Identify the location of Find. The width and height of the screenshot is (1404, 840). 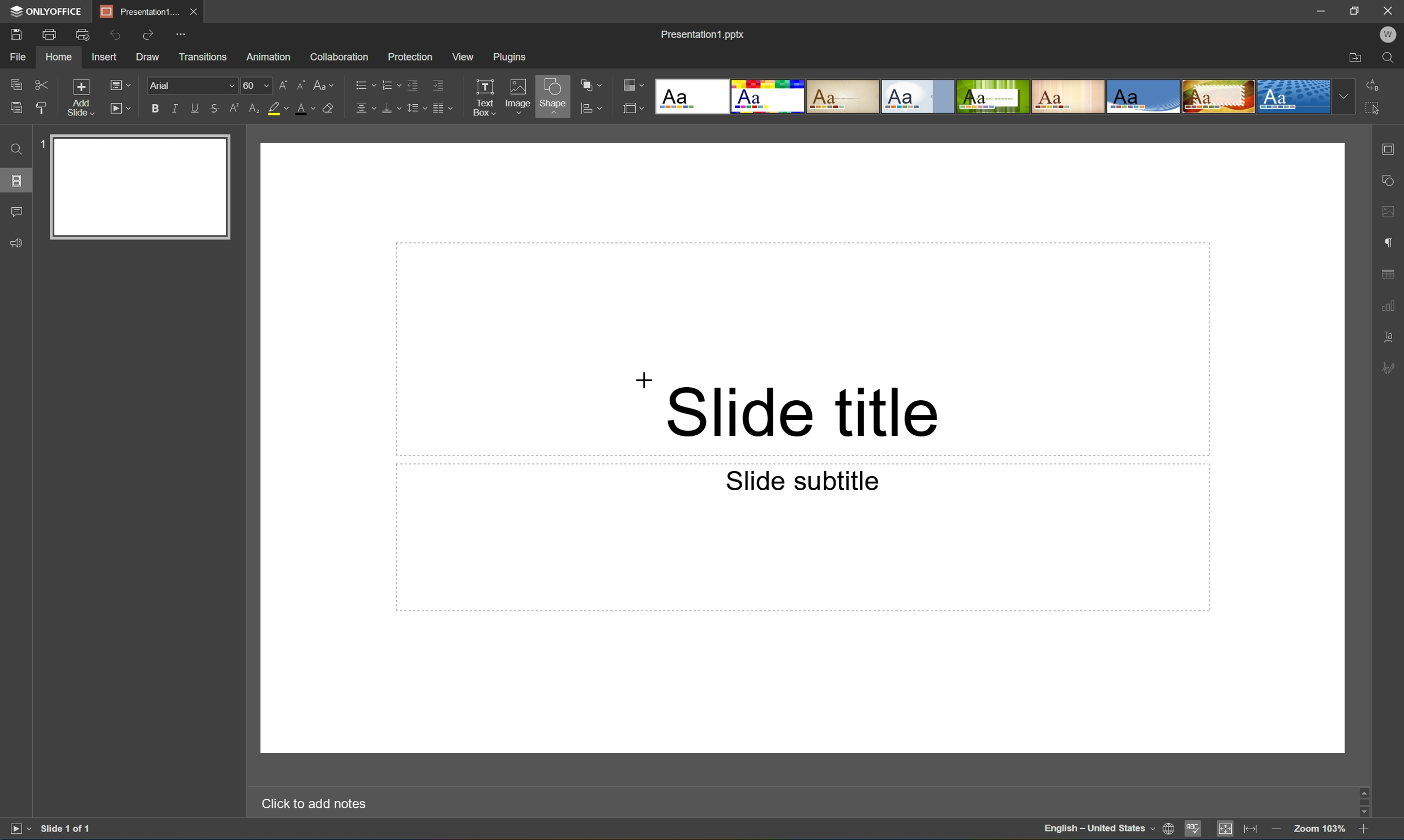
(1388, 58).